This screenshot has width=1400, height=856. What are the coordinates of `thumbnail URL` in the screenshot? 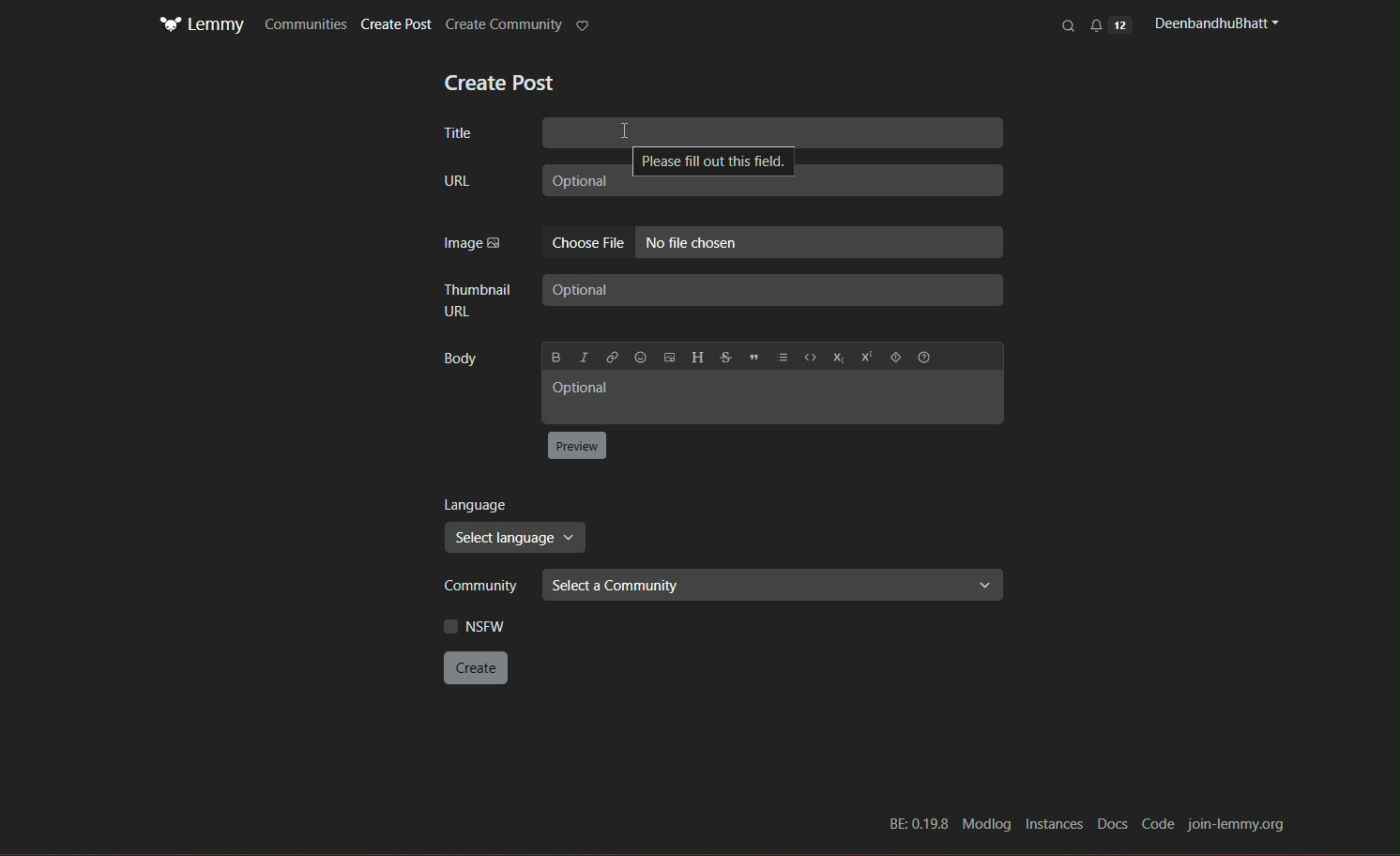 It's located at (479, 298).